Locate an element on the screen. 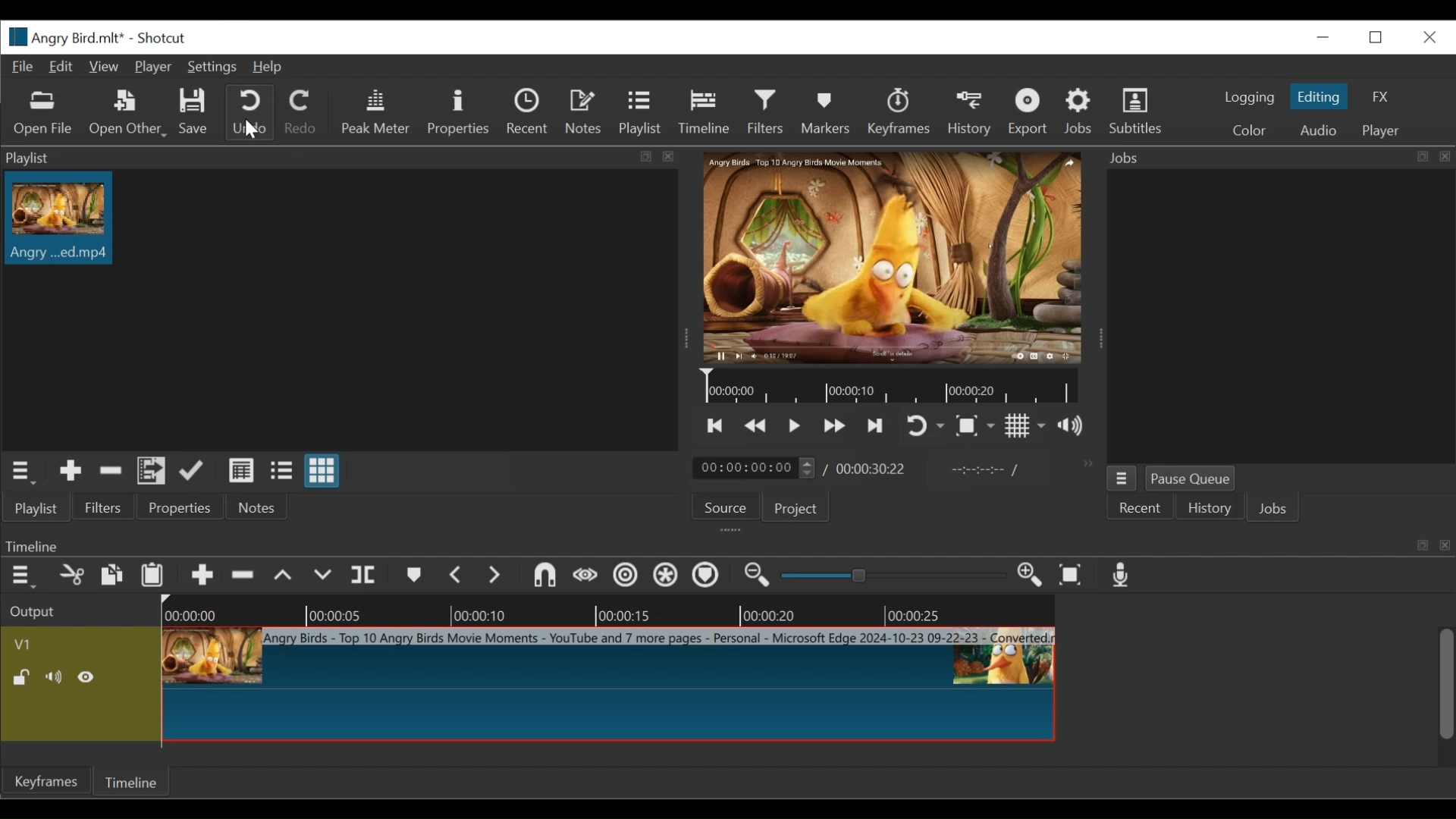  FX is located at coordinates (1378, 96).